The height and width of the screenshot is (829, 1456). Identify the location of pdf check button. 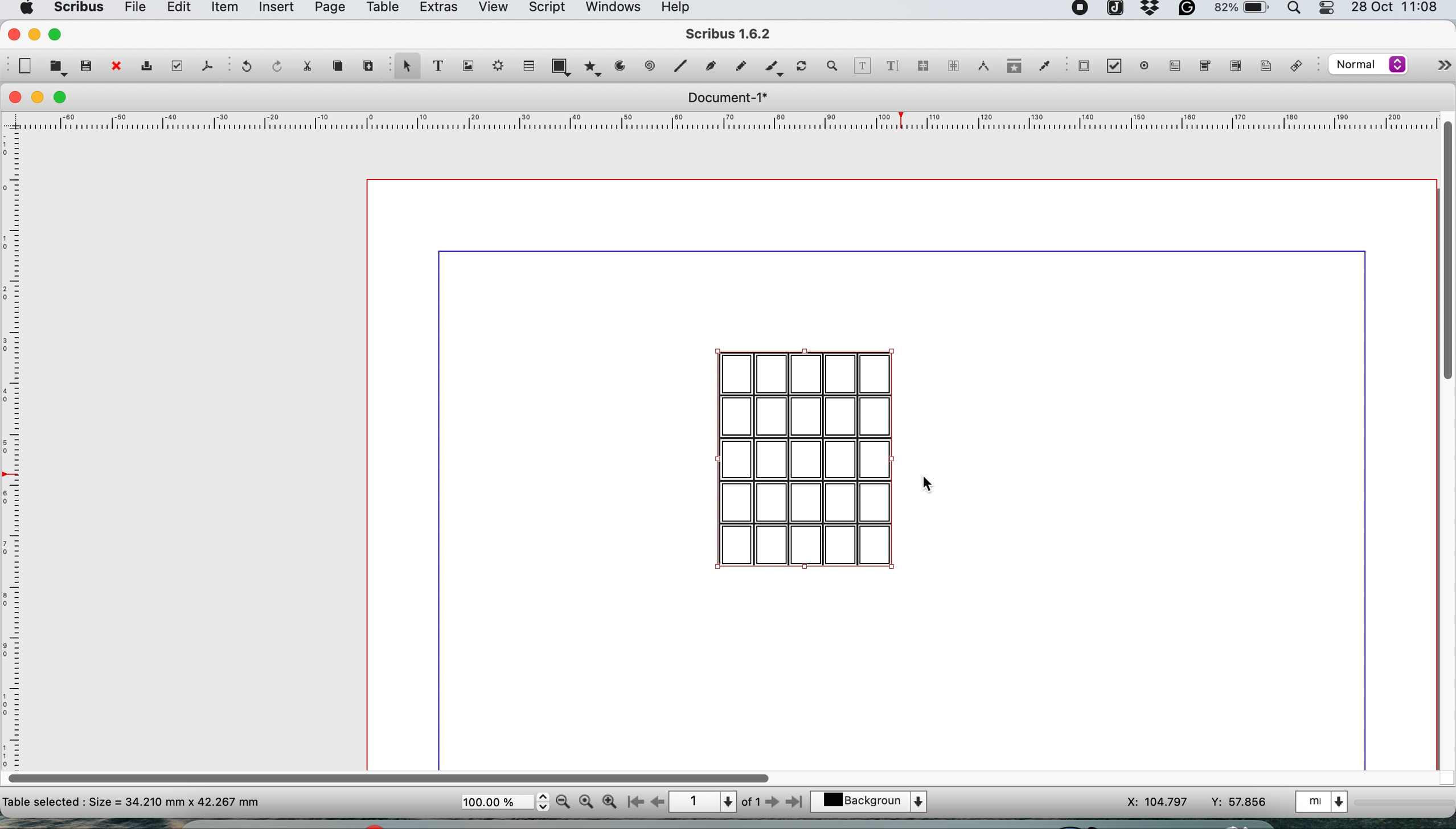
(1118, 67).